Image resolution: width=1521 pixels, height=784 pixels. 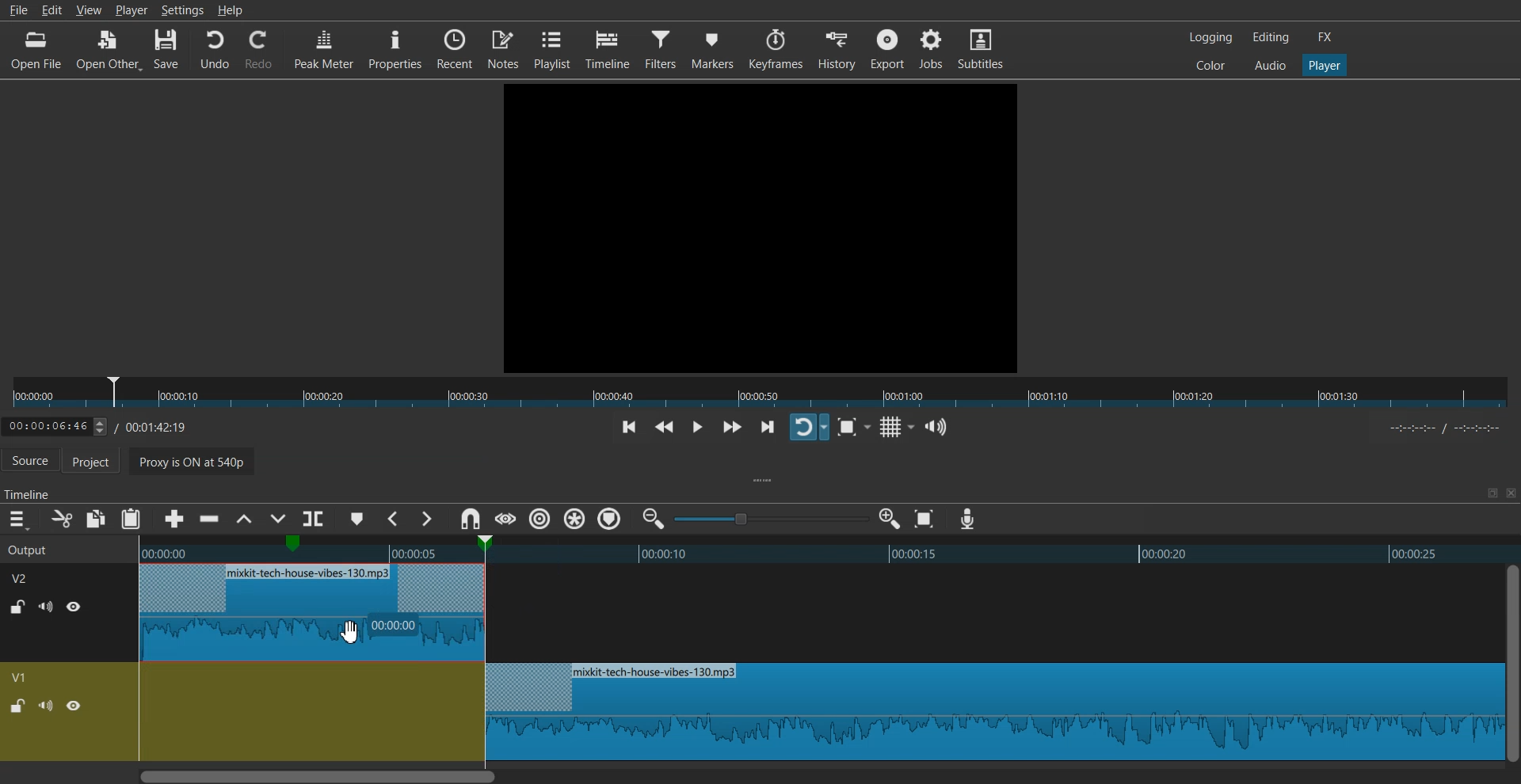 What do you see at coordinates (776, 49) in the screenshot?
I see `Keyframes` at bounding box center [776, 49].